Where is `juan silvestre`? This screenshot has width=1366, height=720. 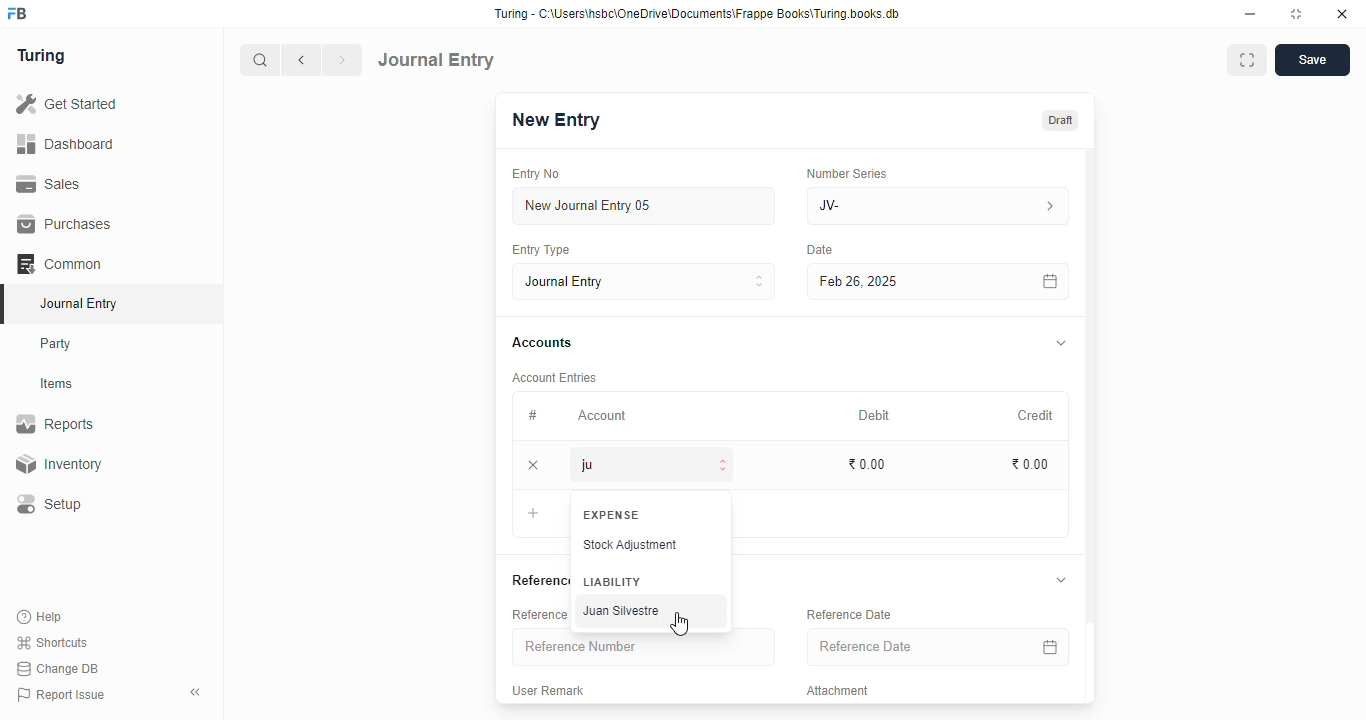 juan silvestre is located at coordinates (619, 611).